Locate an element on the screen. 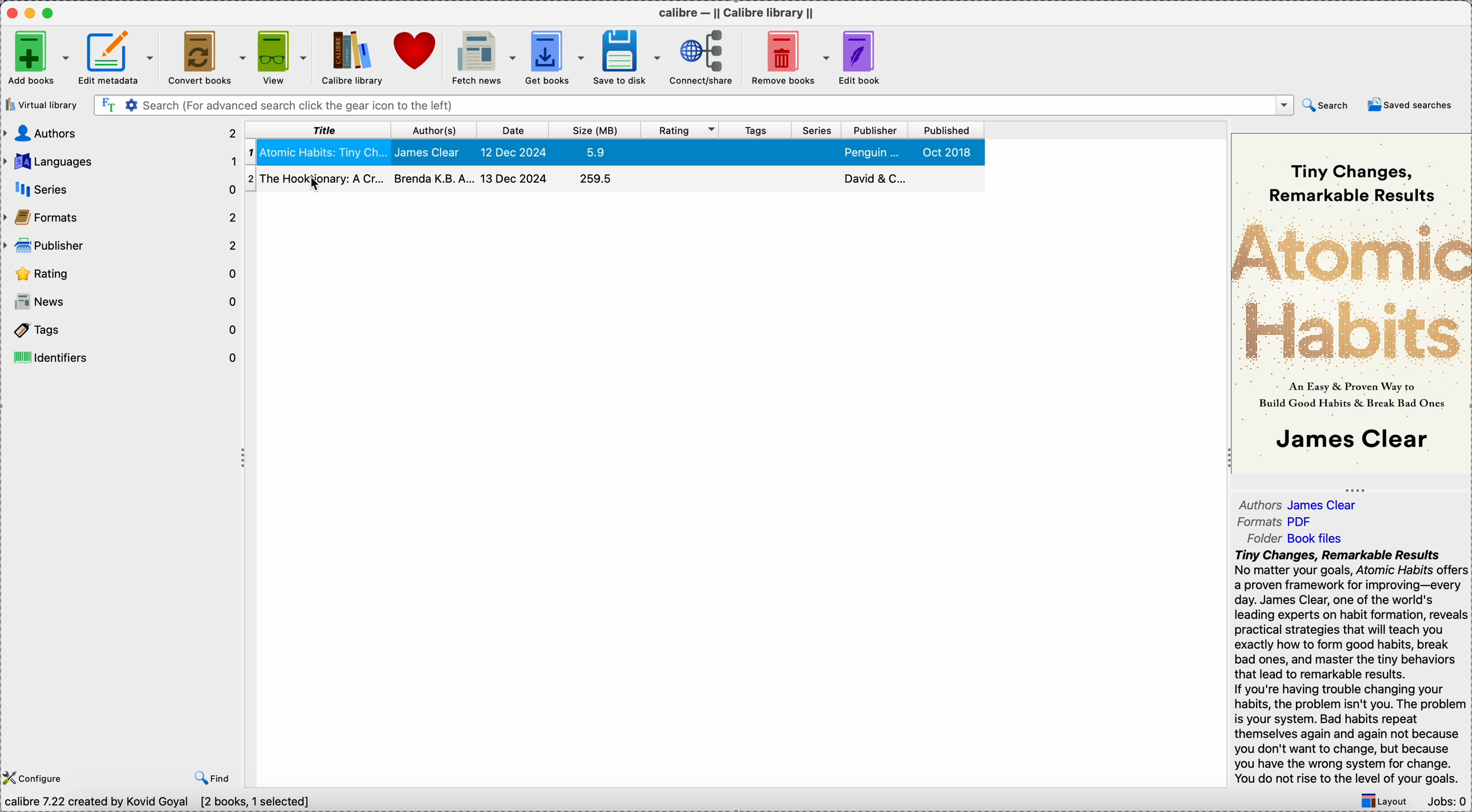  virtual library is located at coordinates (43, 105).